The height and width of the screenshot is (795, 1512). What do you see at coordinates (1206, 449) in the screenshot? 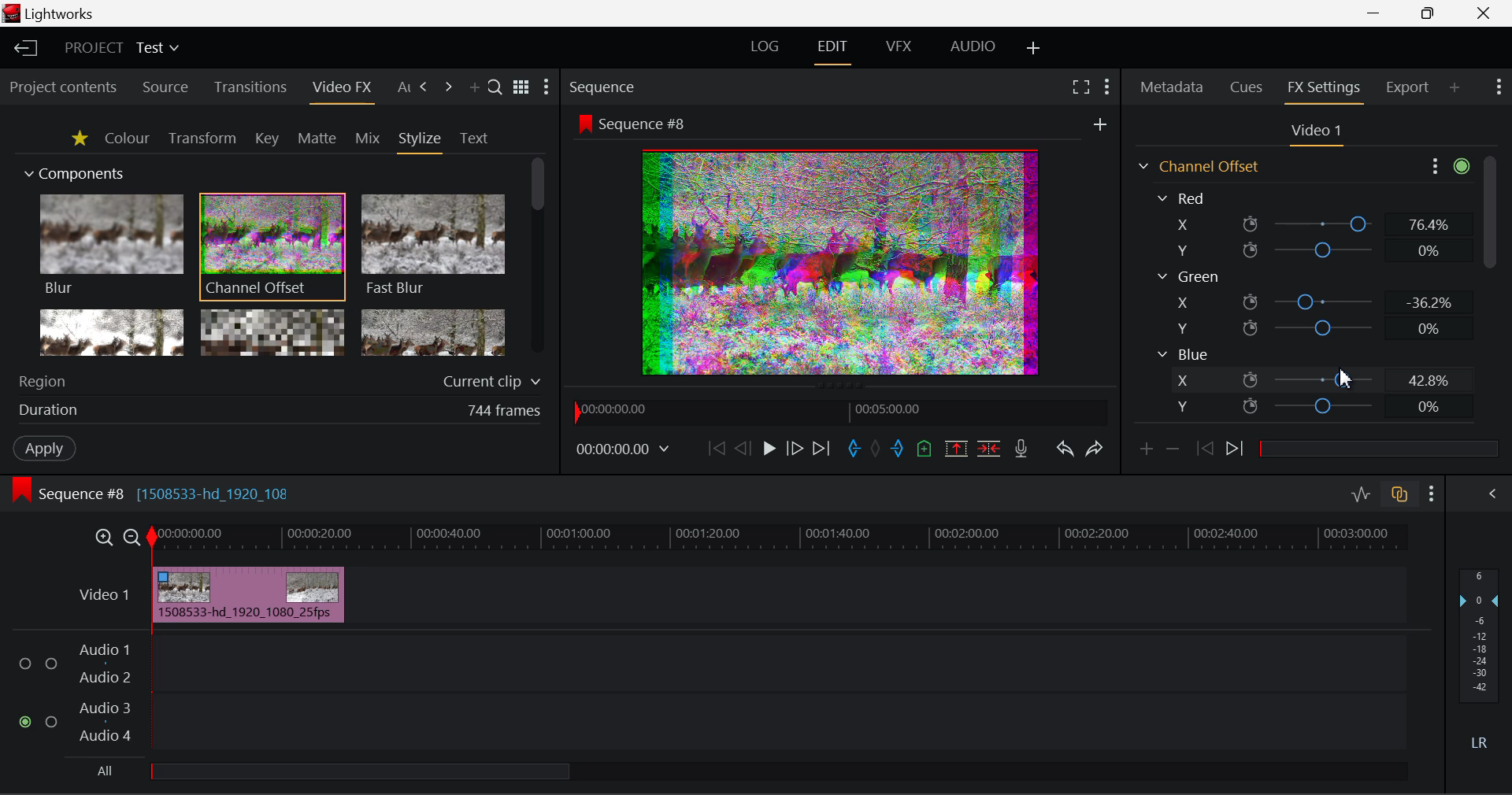
I see `Previous keyframe` at bounding box center [1206, 449].